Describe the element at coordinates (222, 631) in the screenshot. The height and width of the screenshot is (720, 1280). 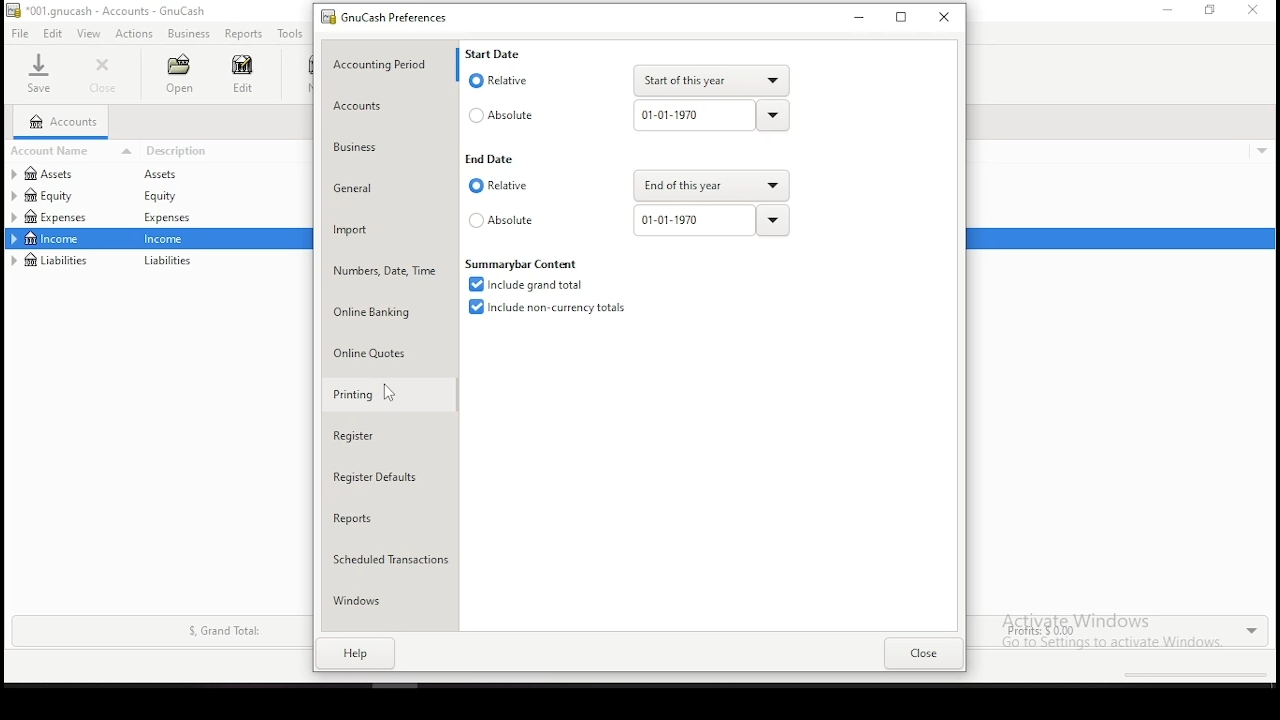
I see `S, Grand Total` at that location.